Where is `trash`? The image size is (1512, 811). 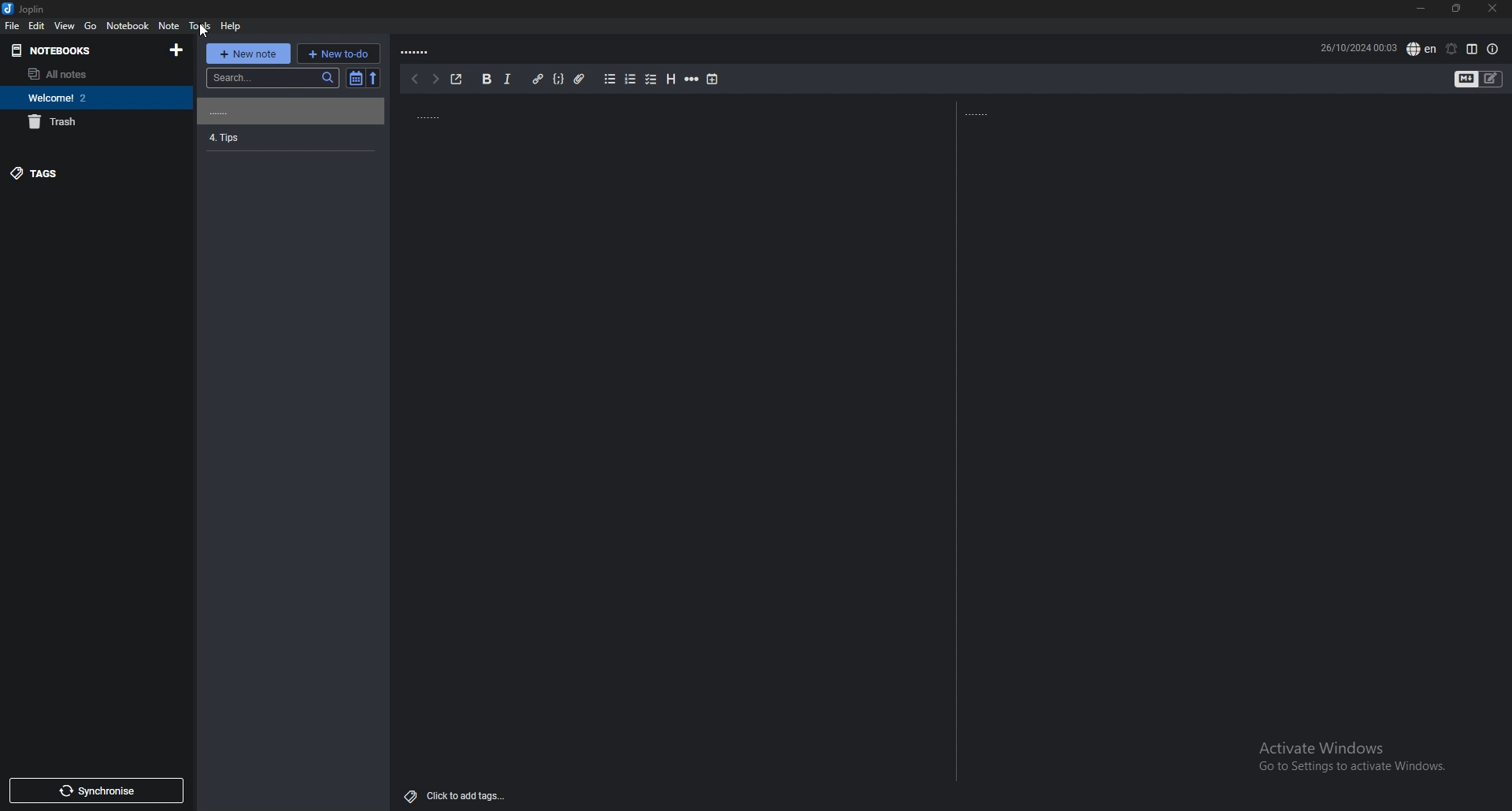
trash is located at coordinates (89, 122).